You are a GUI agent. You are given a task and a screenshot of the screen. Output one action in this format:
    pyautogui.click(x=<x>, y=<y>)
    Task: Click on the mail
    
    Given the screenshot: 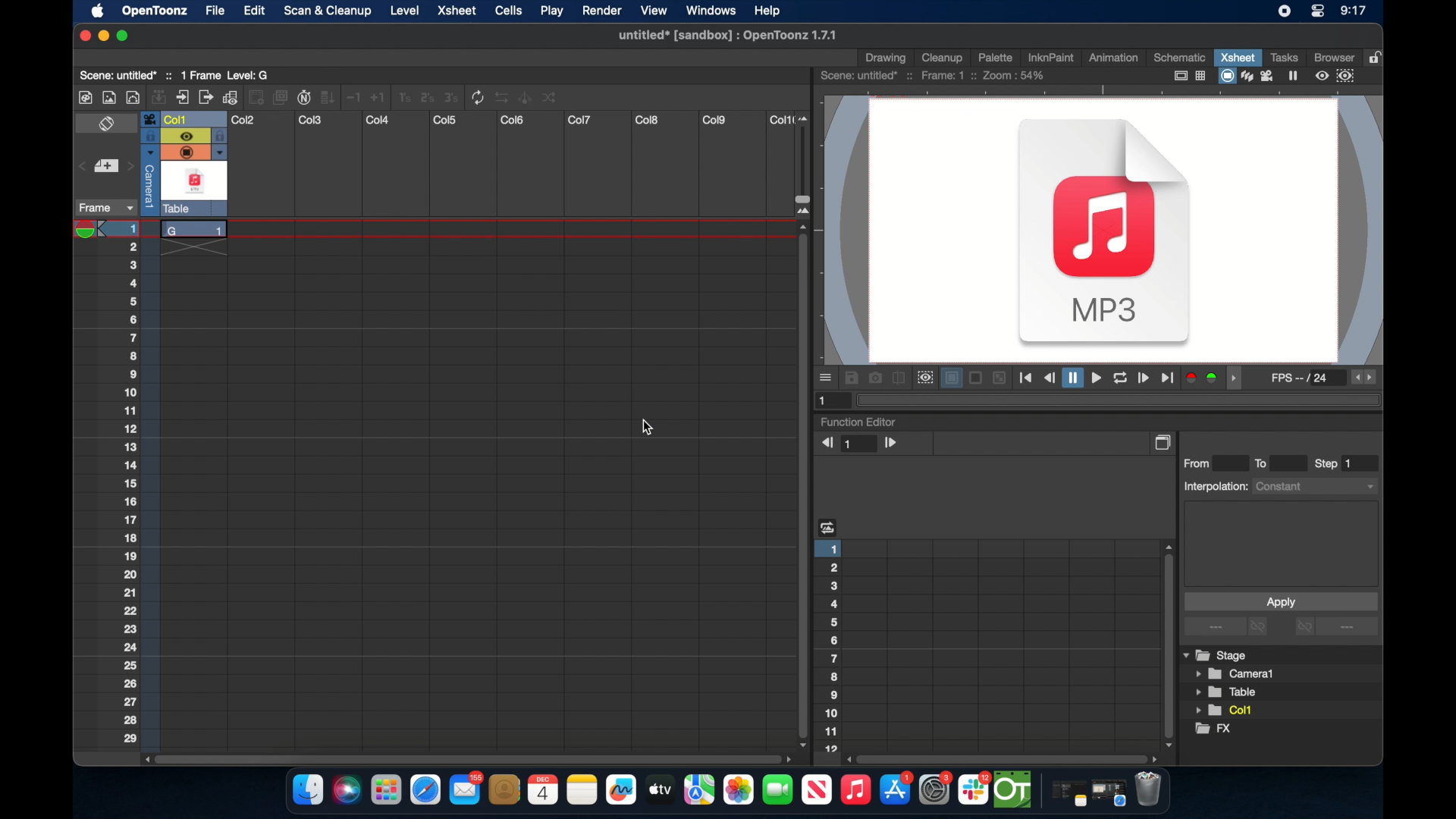 What is the action you would take?
    pyautogui.click(x=466, y=788)
    